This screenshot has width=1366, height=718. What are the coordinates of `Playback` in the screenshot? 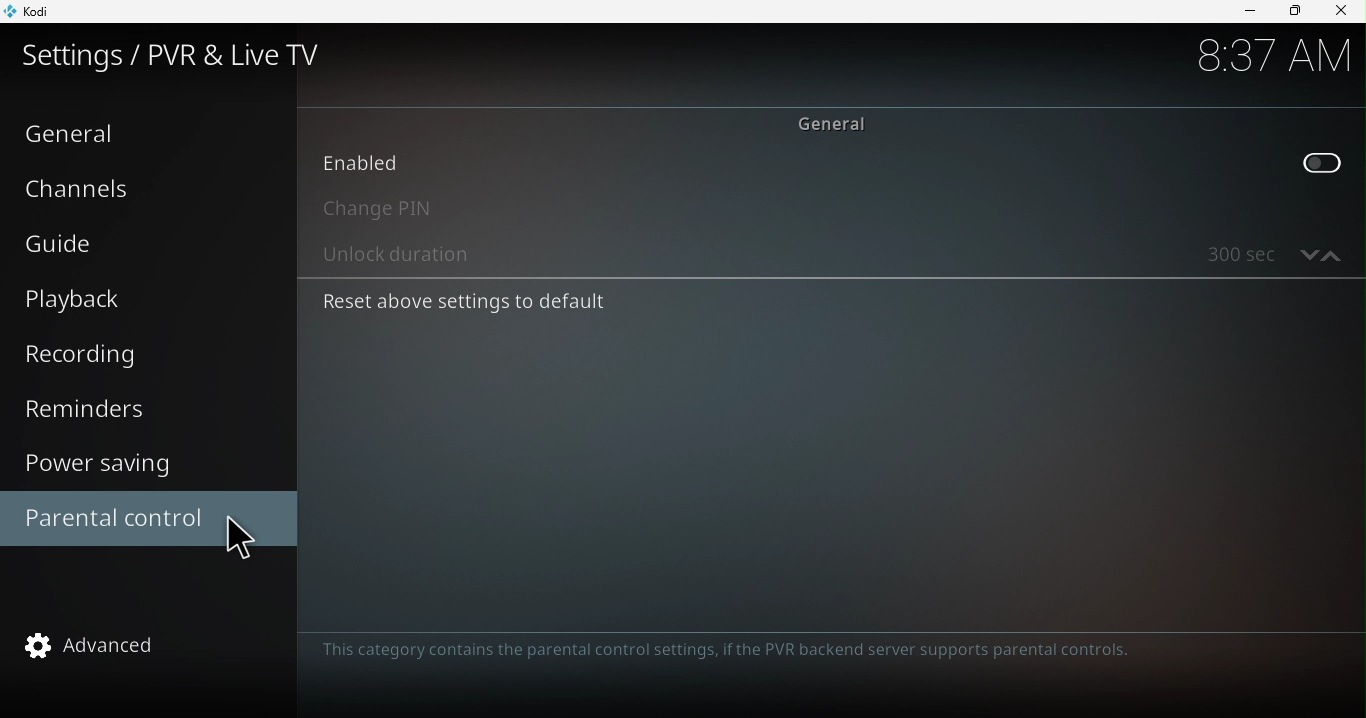 It's located at (75, 301).